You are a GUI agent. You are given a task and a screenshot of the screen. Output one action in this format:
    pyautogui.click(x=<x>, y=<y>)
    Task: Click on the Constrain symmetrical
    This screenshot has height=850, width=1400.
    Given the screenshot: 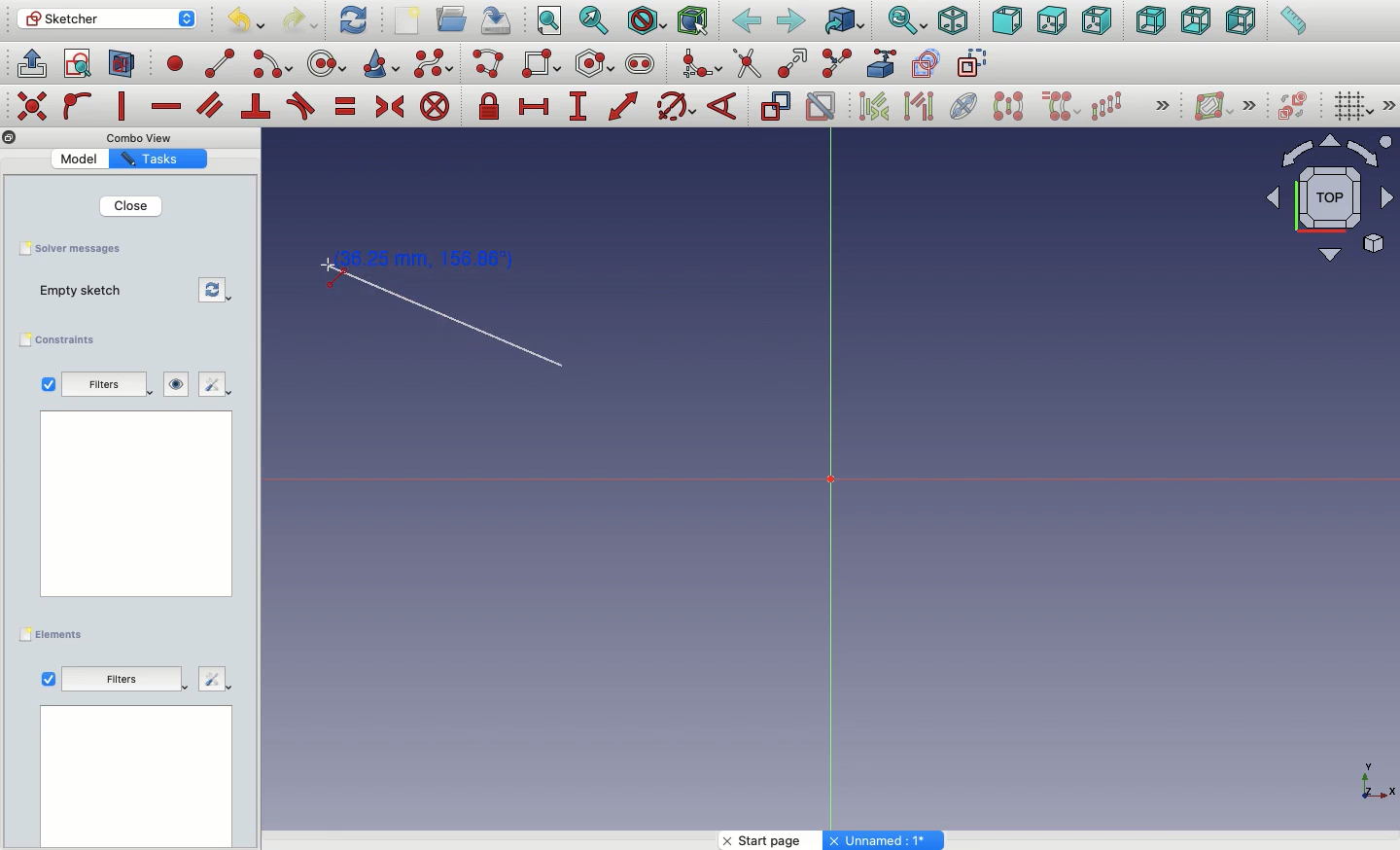 What is the action you would take?
    pyautogui.click(x=390, y=107)
    